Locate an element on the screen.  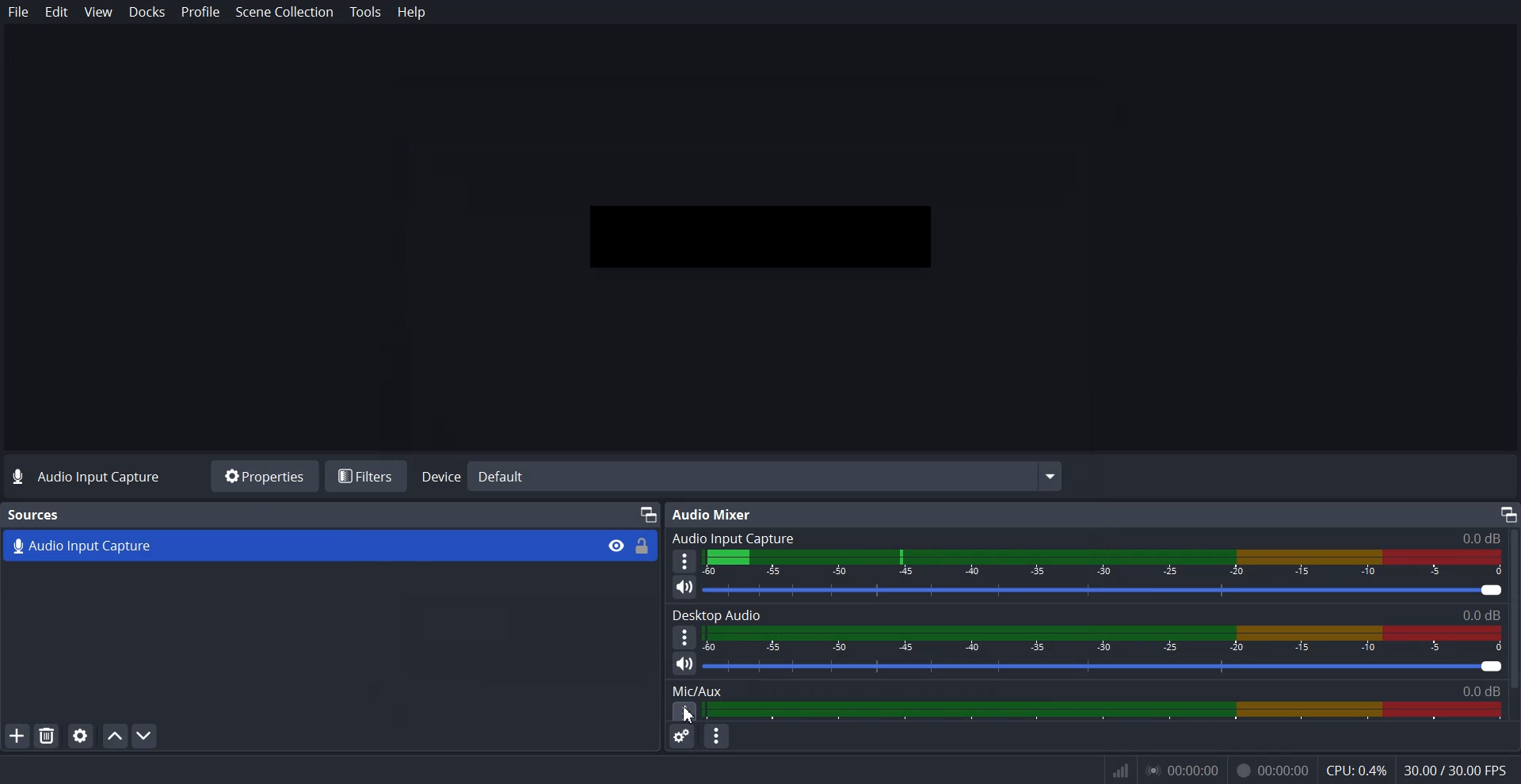
Mute is located at coordinates (685, 664).